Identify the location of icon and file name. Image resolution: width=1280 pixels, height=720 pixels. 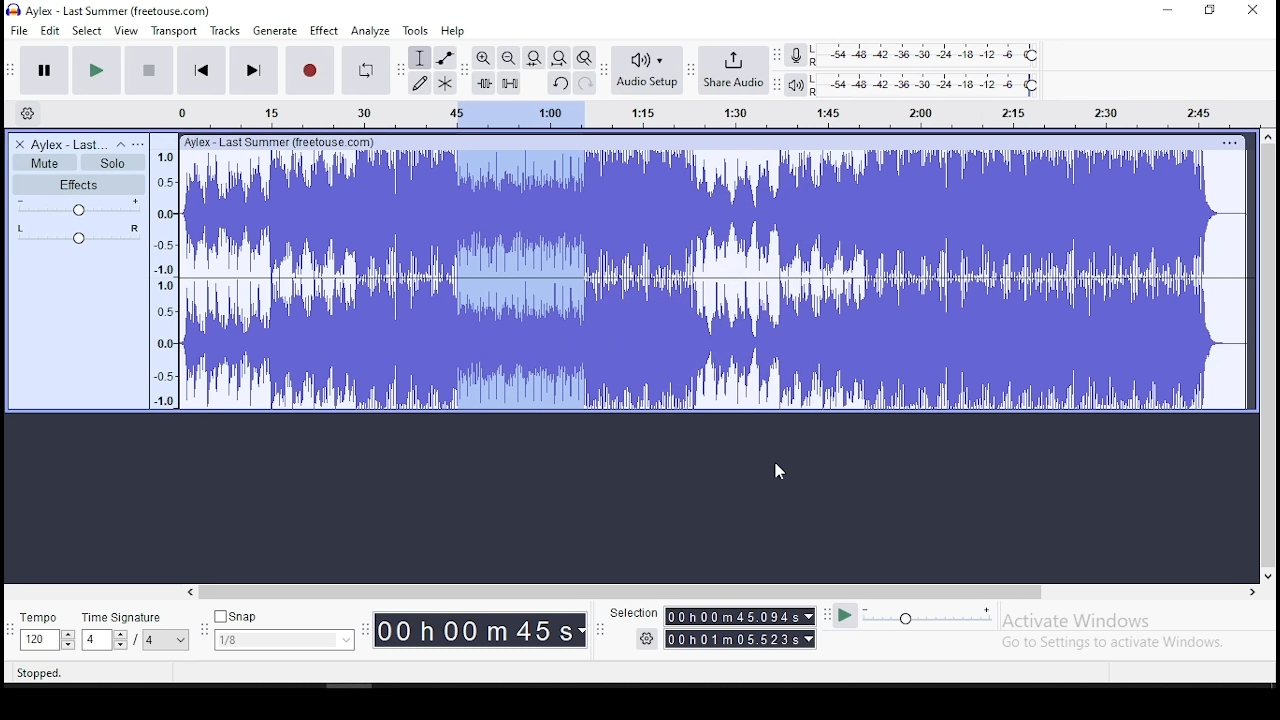
(110, 10).